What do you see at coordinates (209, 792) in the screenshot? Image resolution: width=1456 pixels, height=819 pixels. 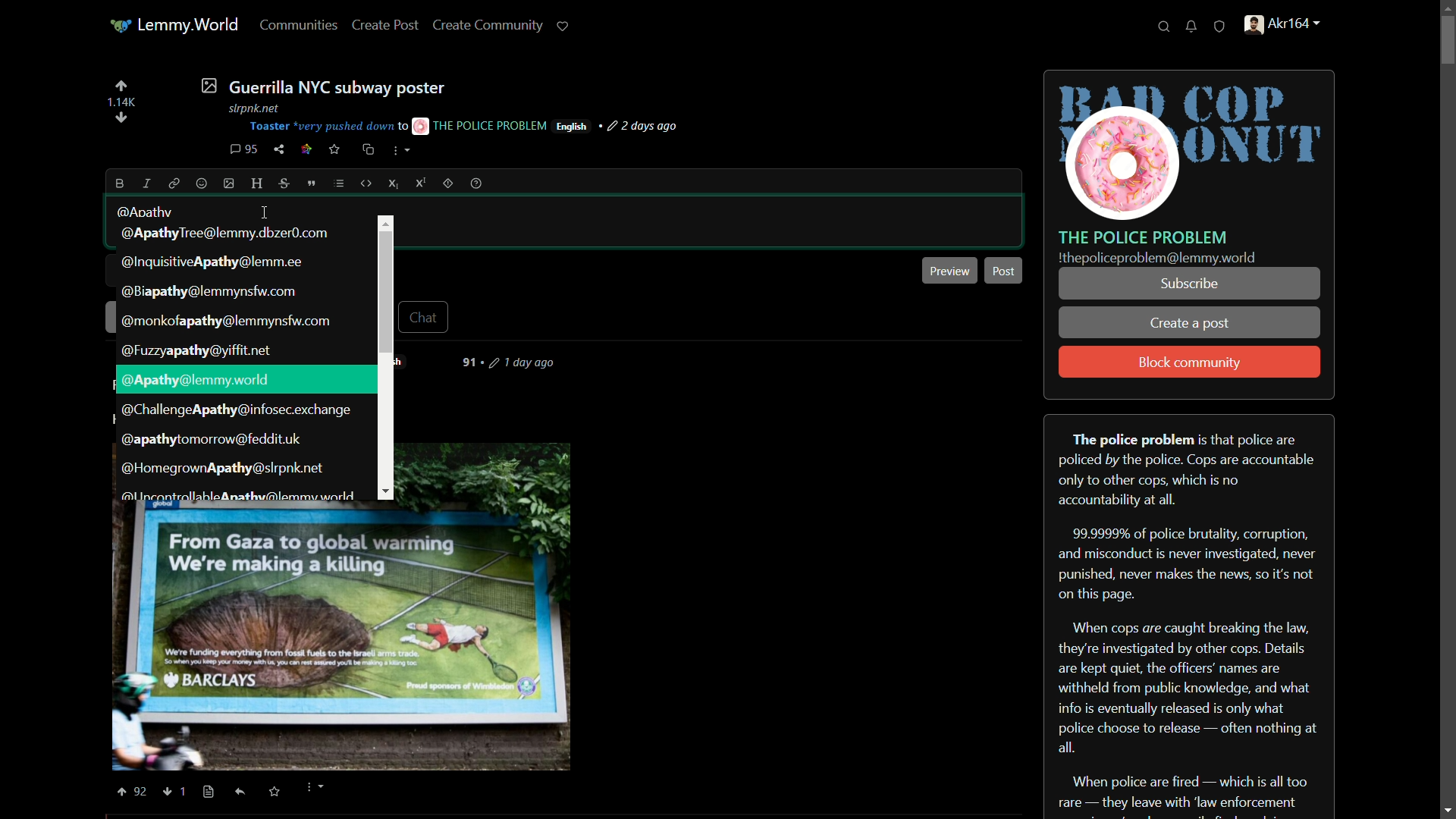 I see `` at bounding box center [209, 792].